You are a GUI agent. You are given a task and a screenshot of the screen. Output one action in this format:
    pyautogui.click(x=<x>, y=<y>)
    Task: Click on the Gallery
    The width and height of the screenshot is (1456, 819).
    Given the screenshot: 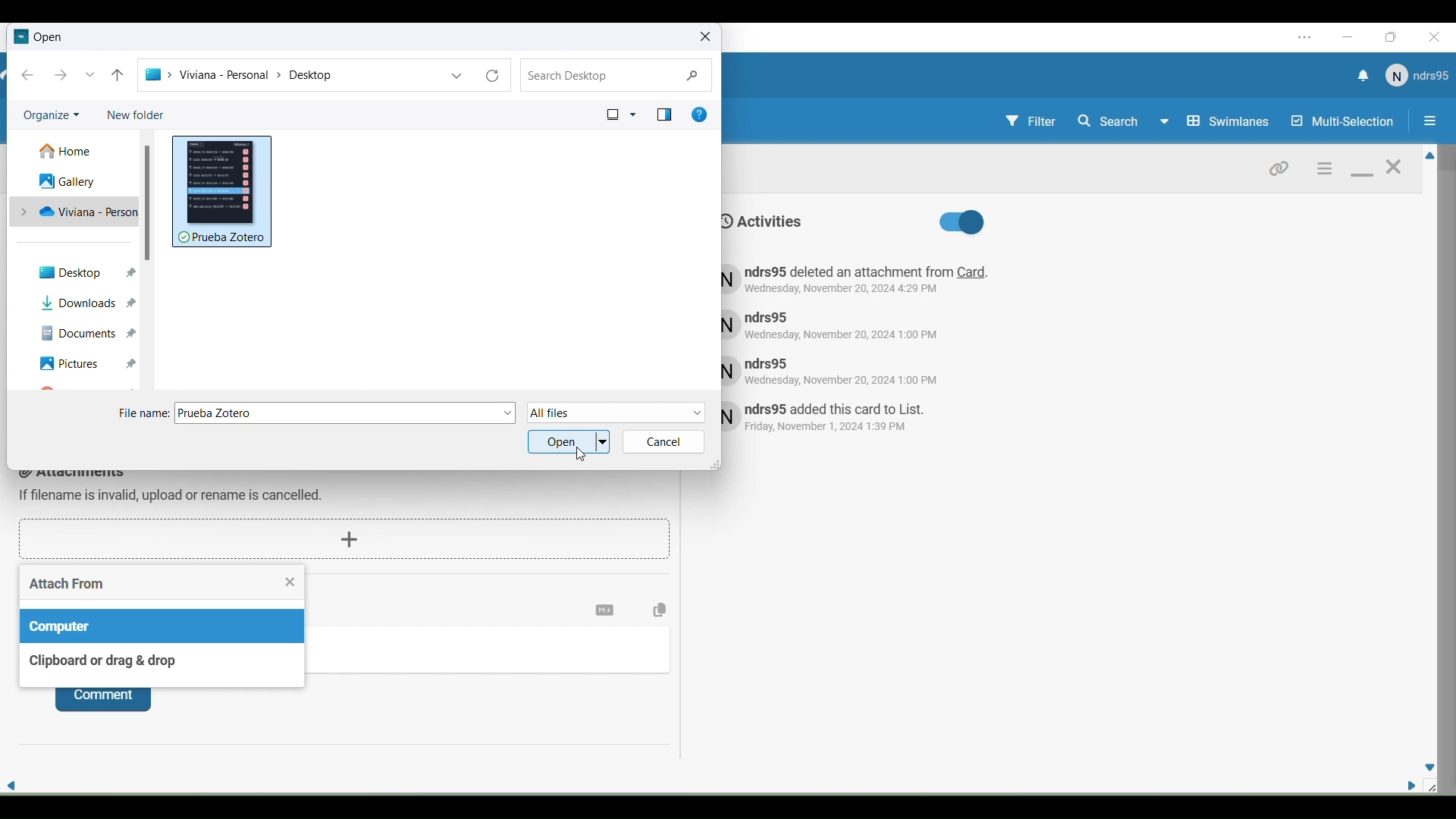 What is the action you would take?
    pyautogui.click(x=64, y=182)
    